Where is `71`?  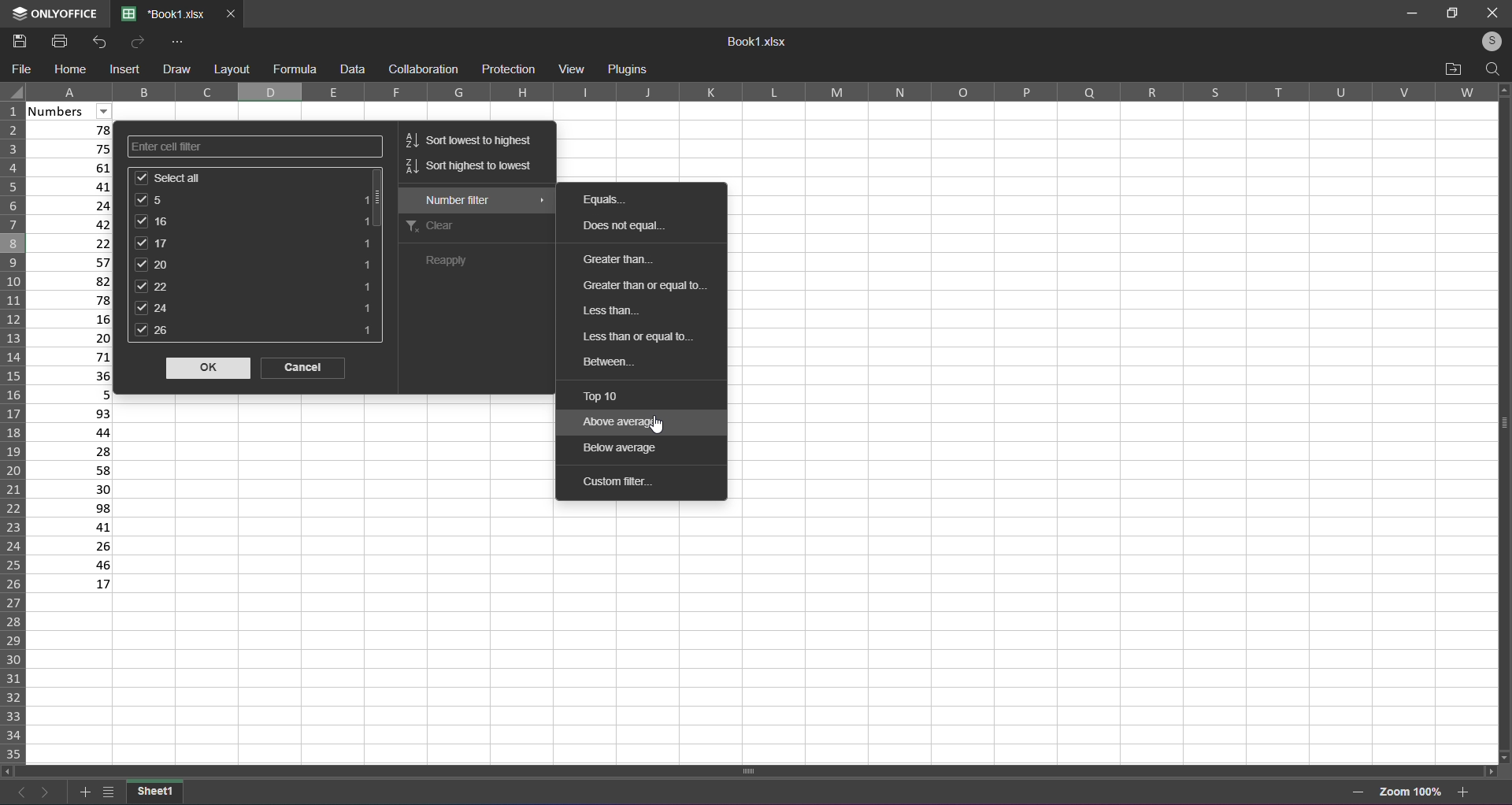 71 is located at coordinates (74, 357).